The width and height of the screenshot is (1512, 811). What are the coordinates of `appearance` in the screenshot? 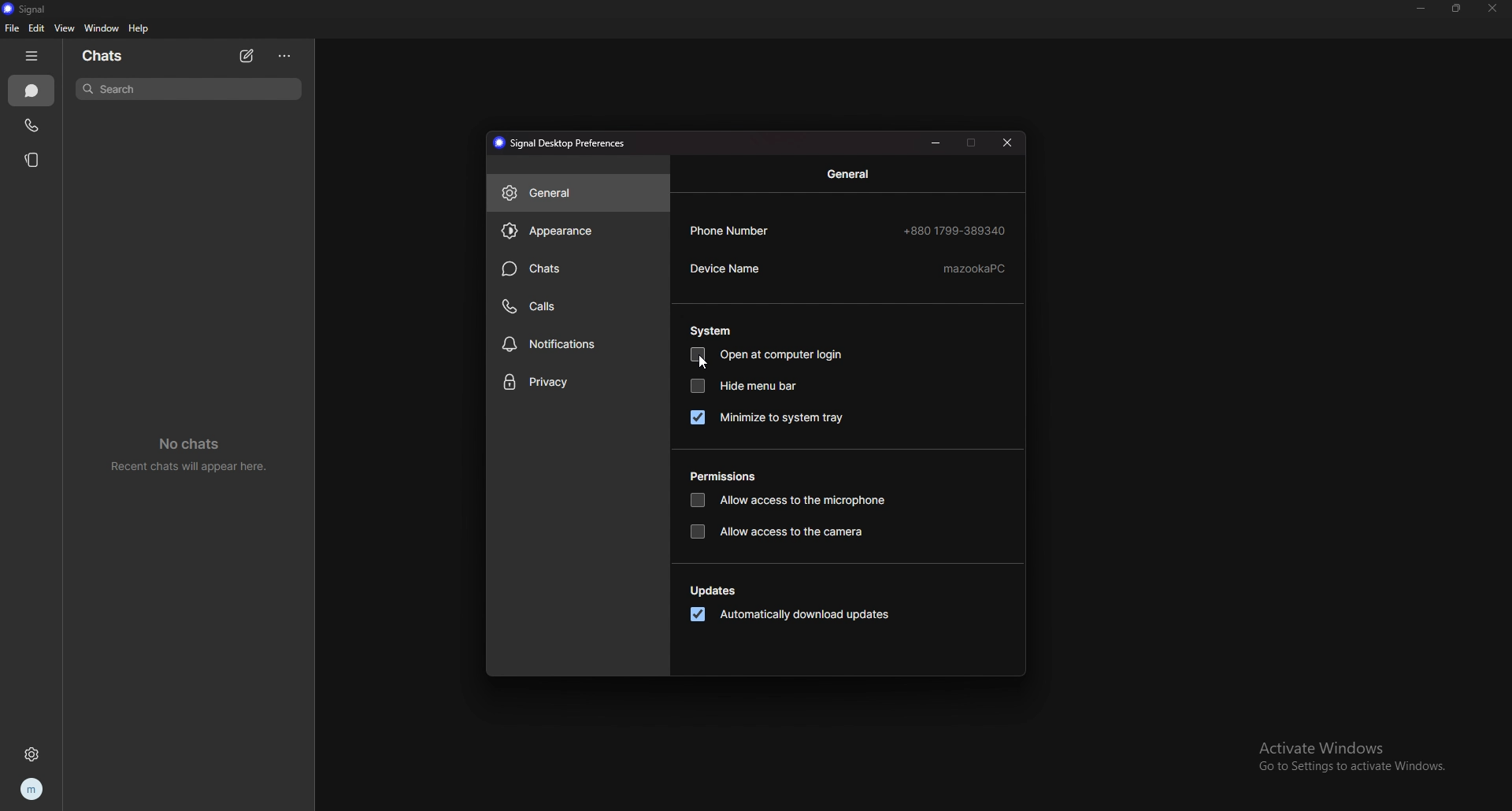 It's located at (578, 230).